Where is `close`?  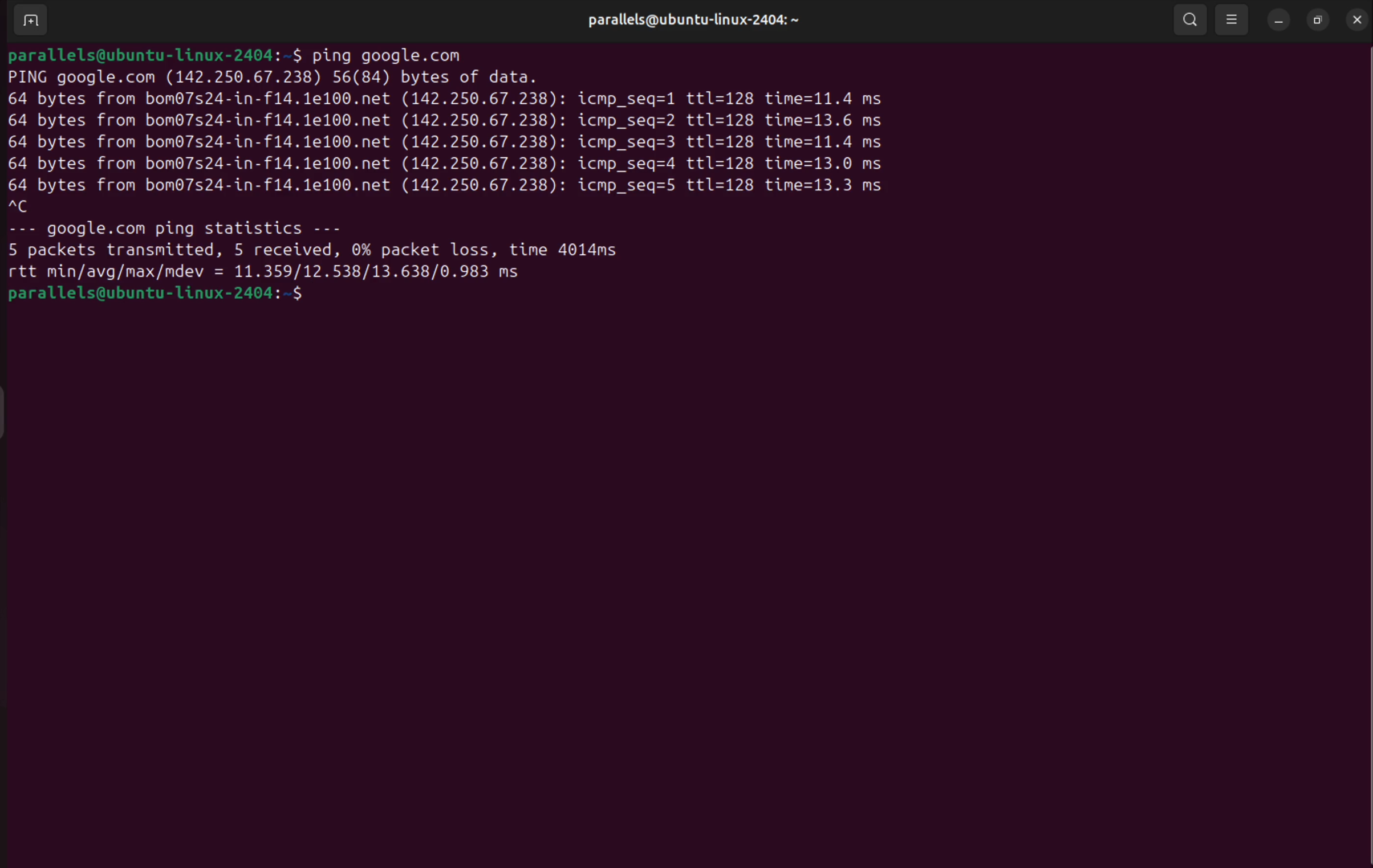 close is located at coordinates (1356, 19).